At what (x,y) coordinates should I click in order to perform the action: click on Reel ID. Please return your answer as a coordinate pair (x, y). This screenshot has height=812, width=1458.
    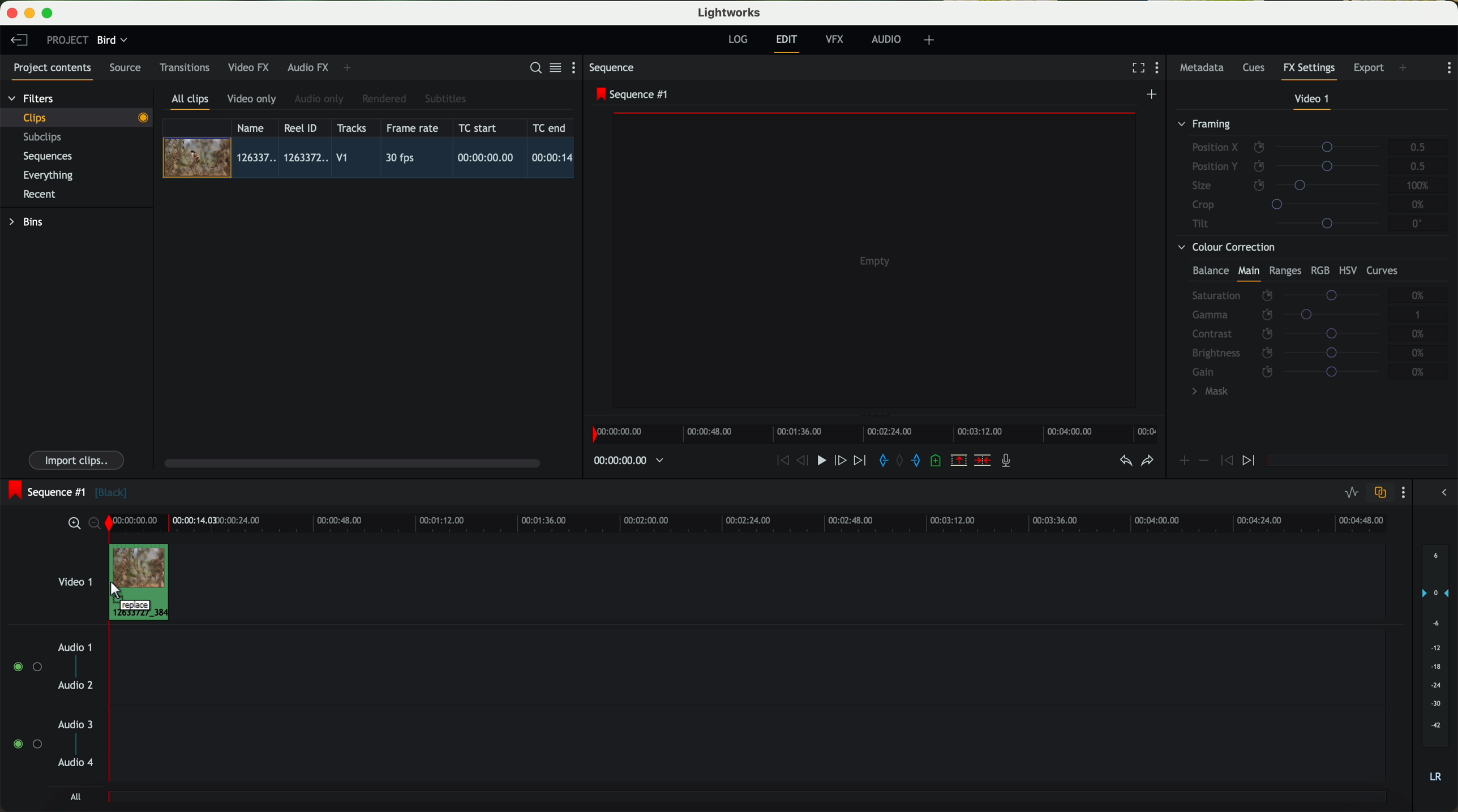
    Looking at the image, I should click on (303, 127).